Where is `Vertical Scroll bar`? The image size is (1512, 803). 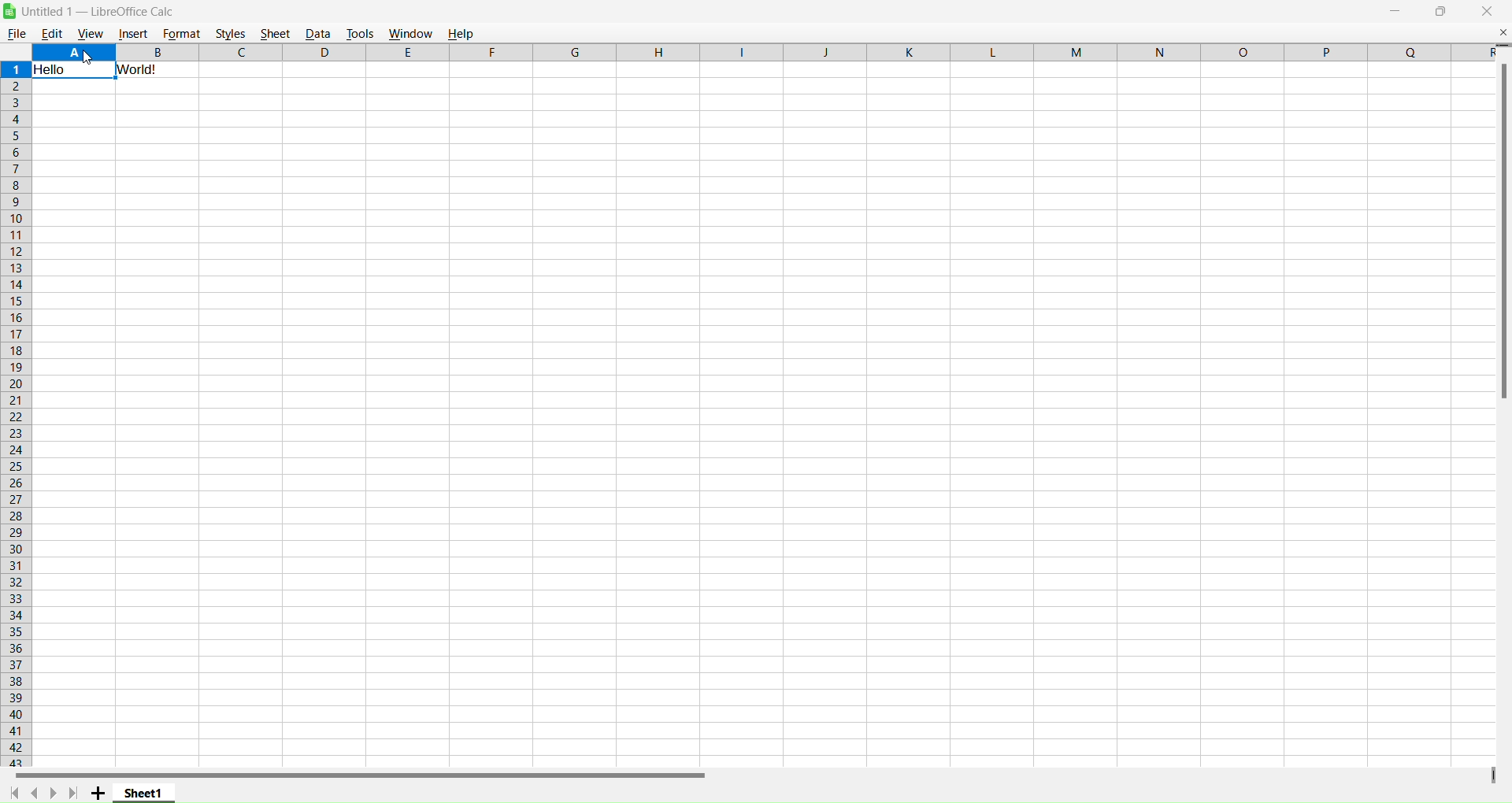
Vertical Scroll bar is located at coordinates (1502, 224).